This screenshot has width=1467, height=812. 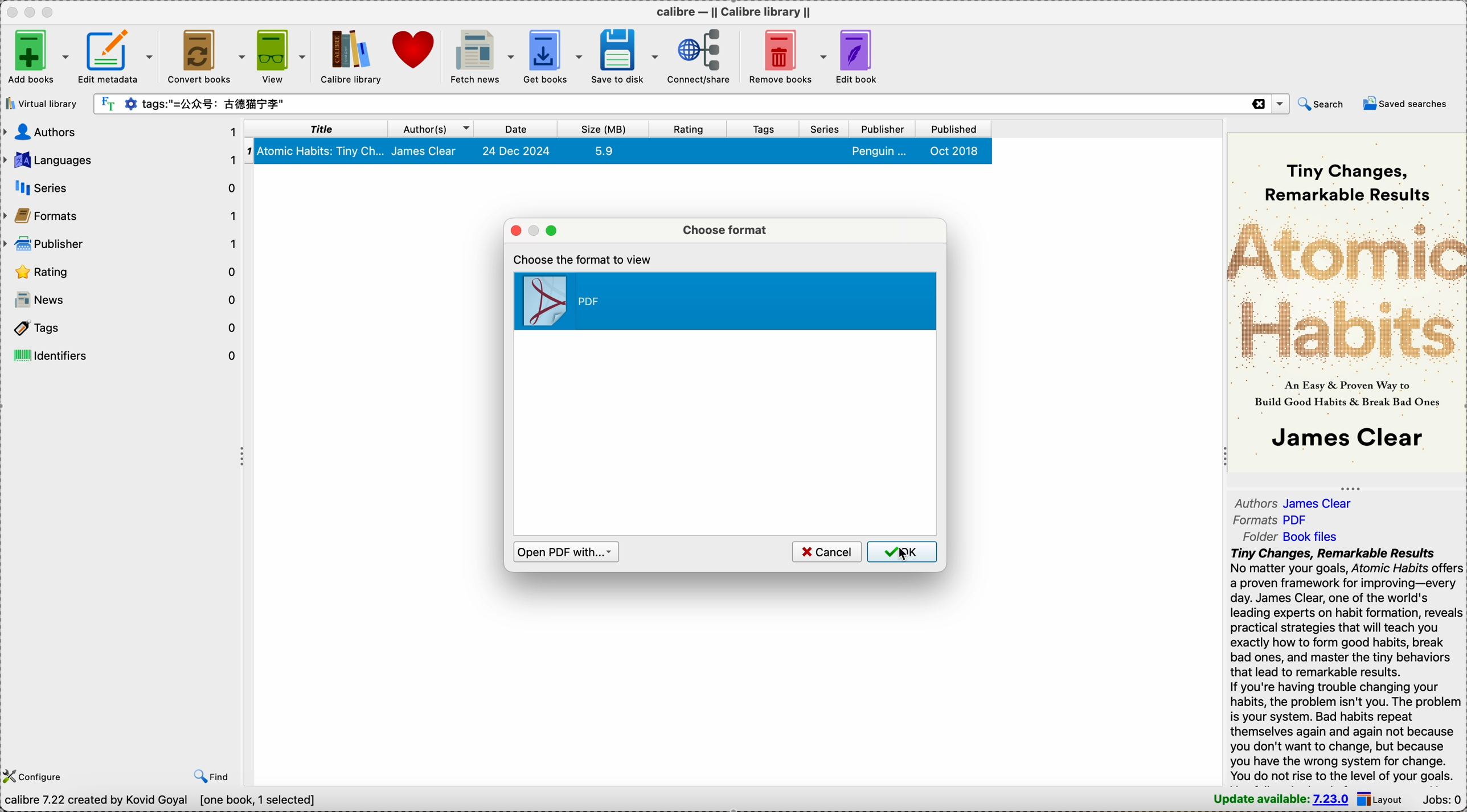 I want to click on Calibre, so click(x=732, y=9).